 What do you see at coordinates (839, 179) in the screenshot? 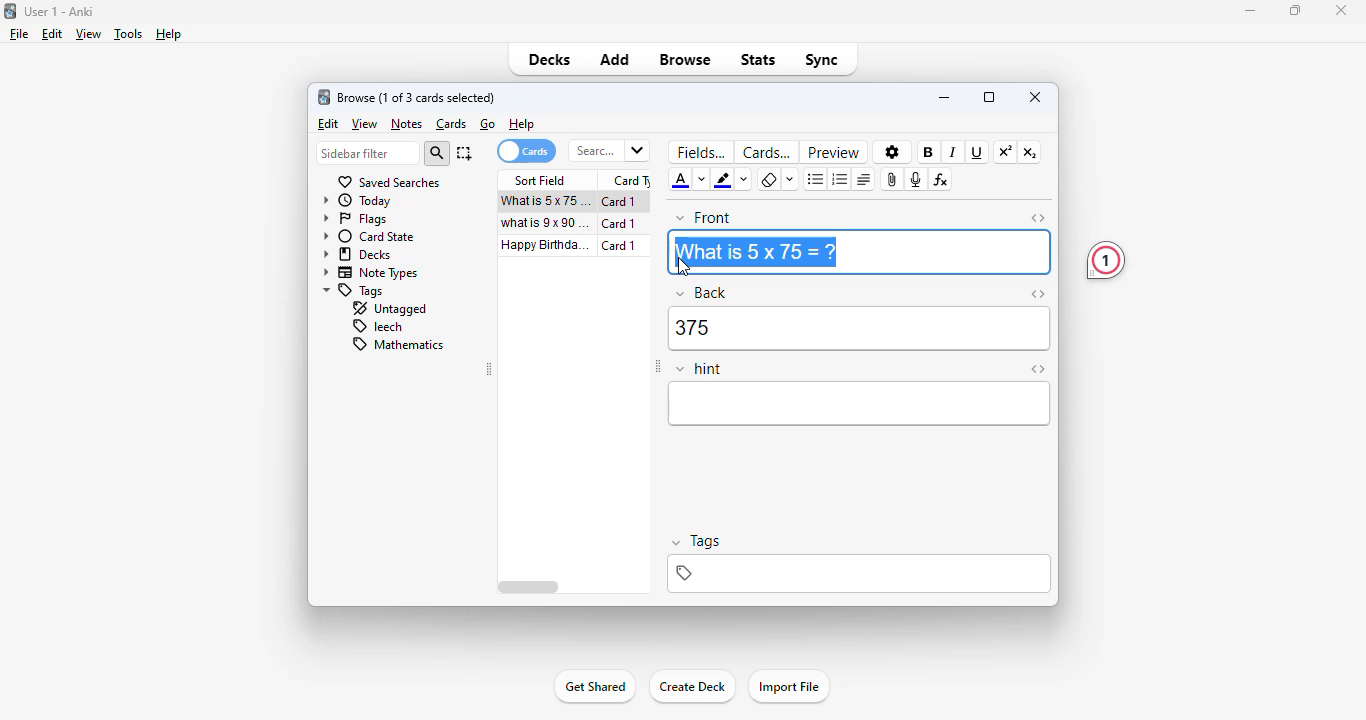
I see `ordered list` at bounding box center [839, 179].